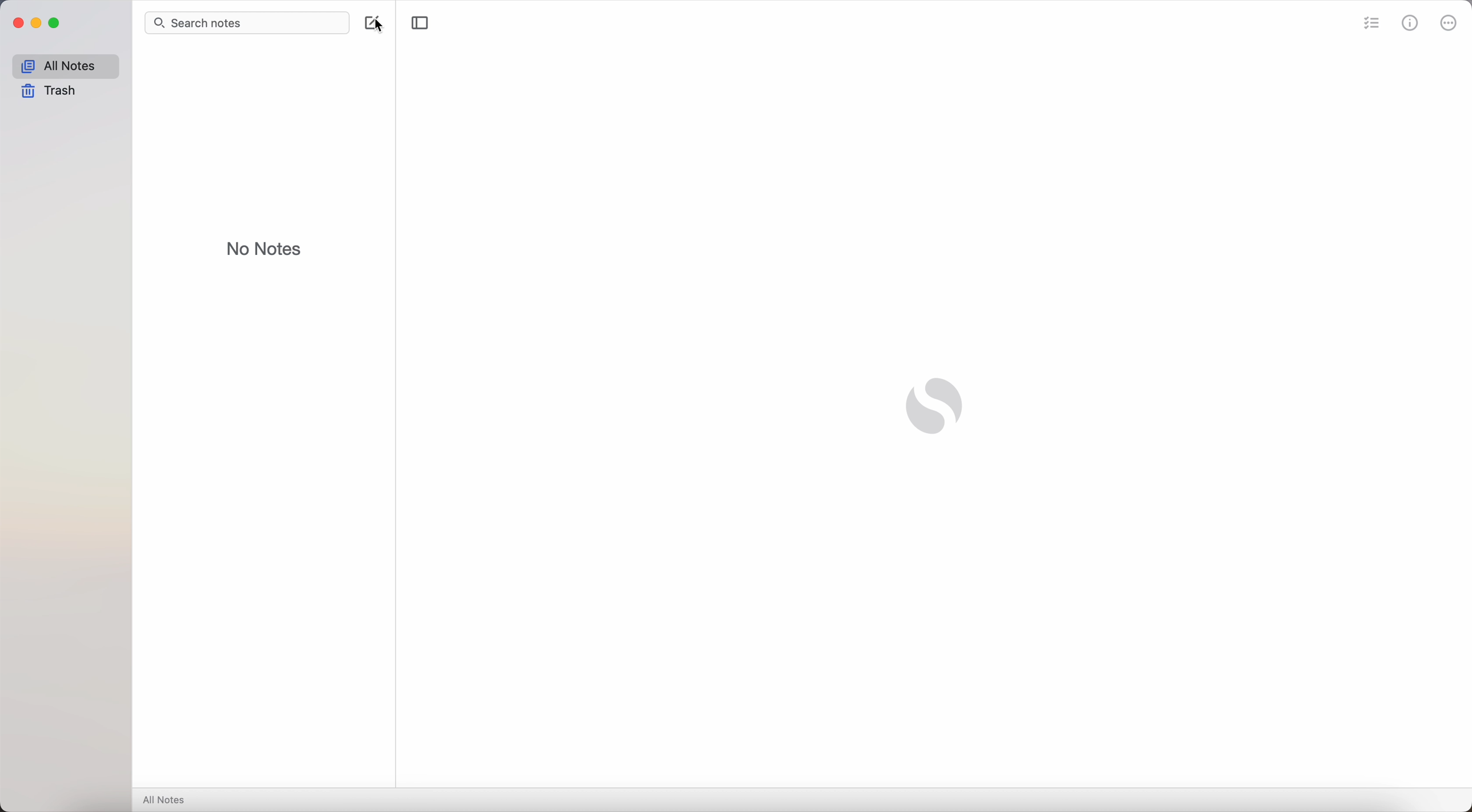 The height and width of the screenshot is (812, 1472). I want to click on cursor, so click(386, 27).